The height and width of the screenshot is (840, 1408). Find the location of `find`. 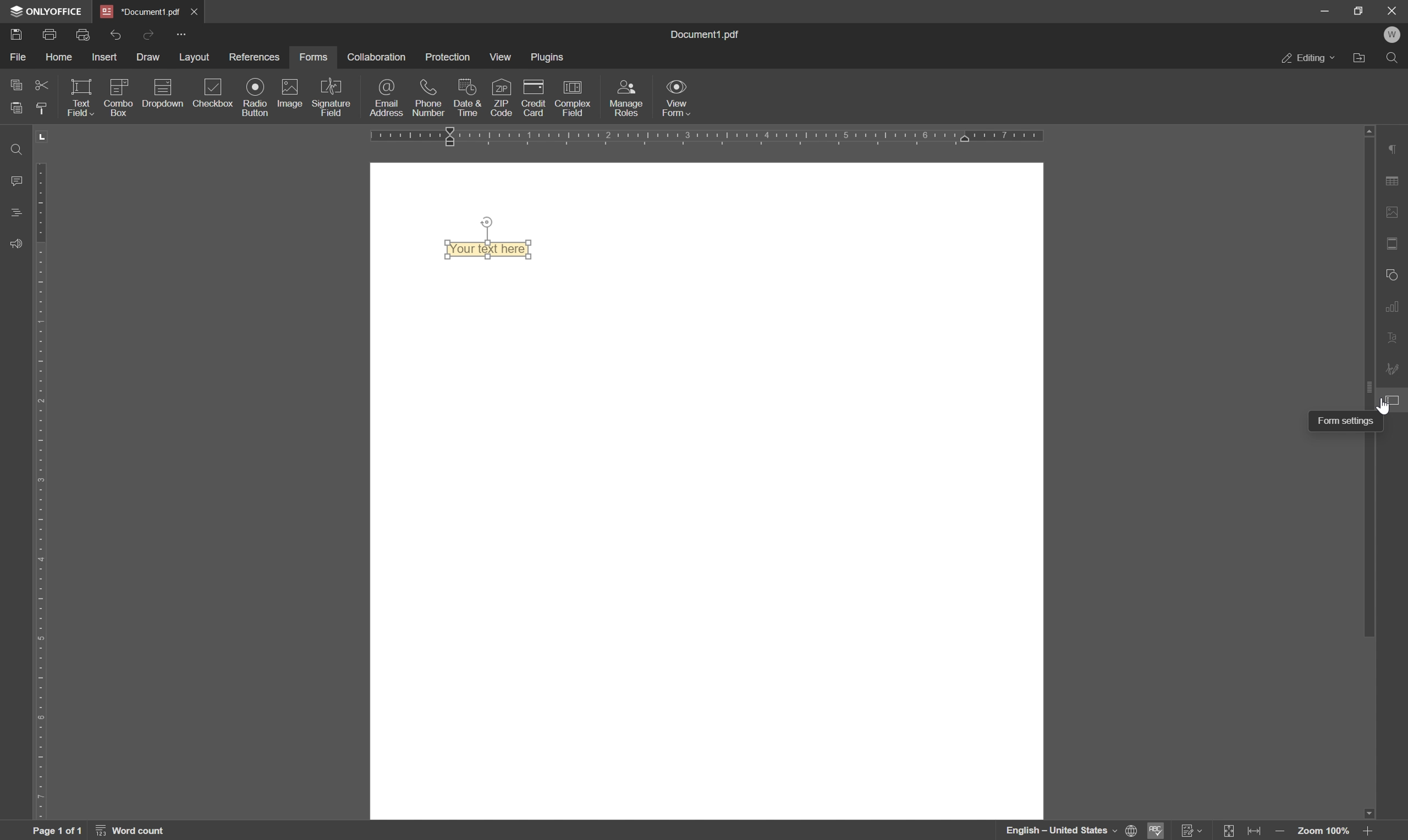

find is located at coordinates (13, 148).